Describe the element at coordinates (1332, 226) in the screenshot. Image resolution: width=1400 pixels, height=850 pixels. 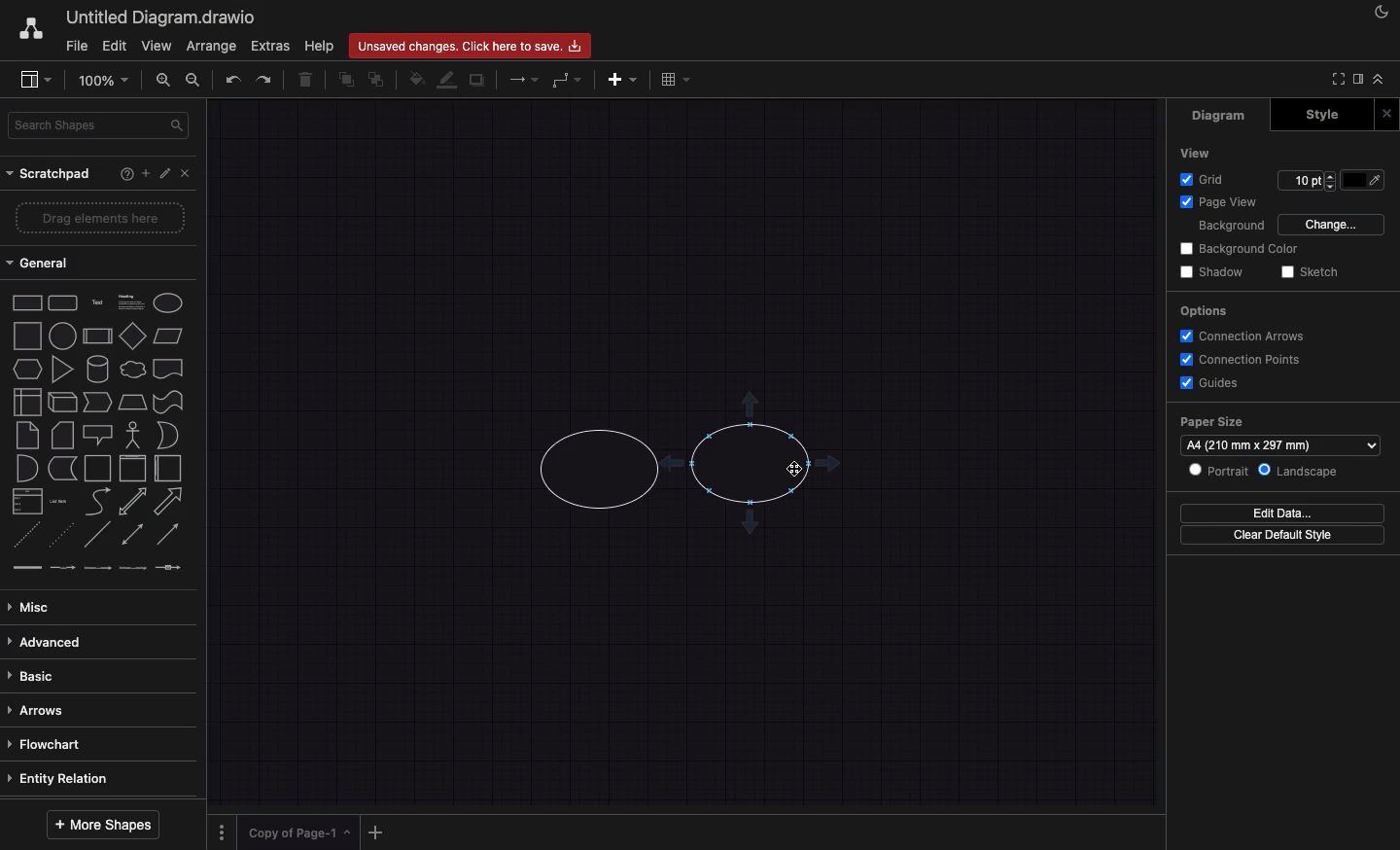
I see `change` at that location.